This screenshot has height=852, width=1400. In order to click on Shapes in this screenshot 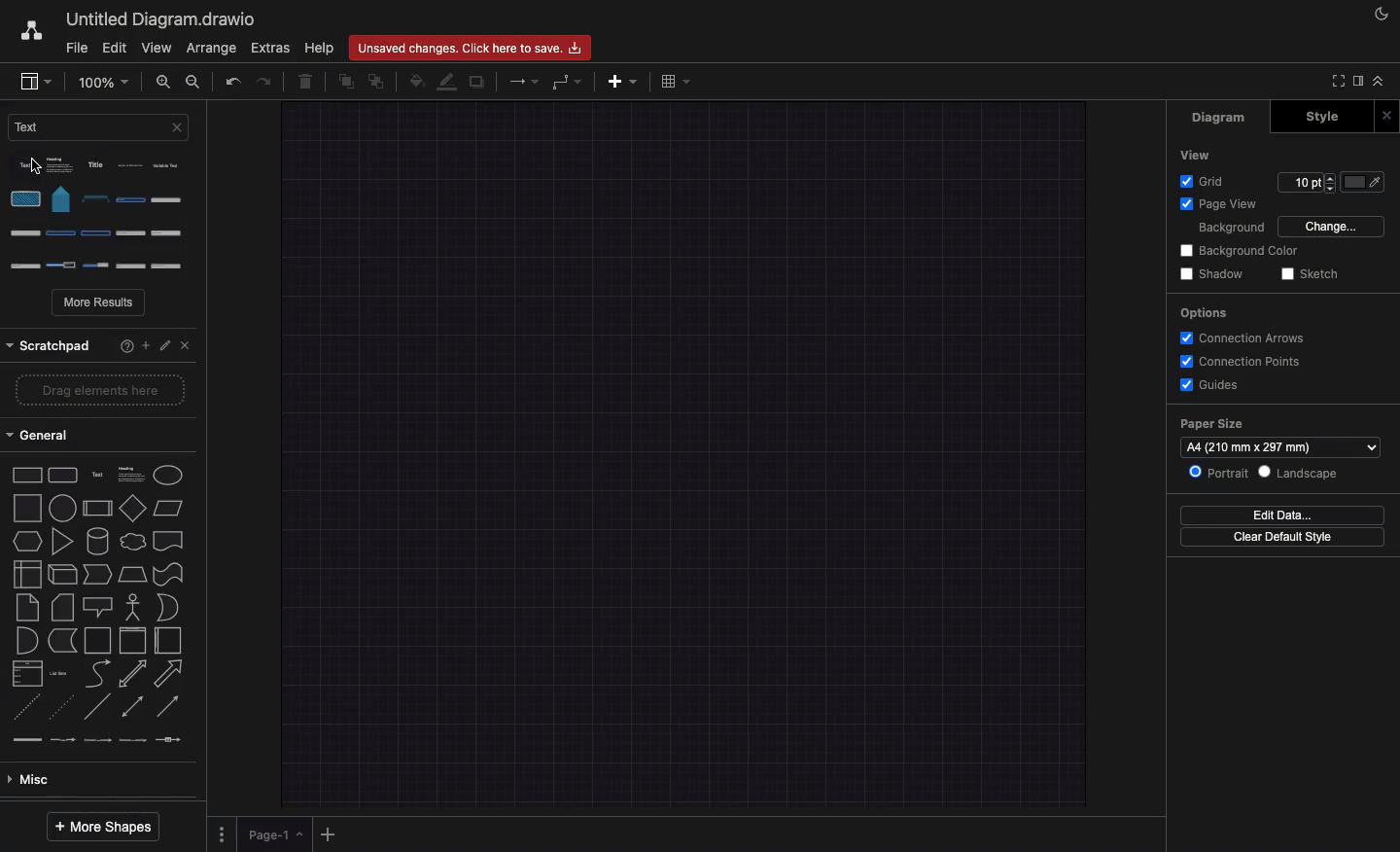, I will do `click(99, 605)`.